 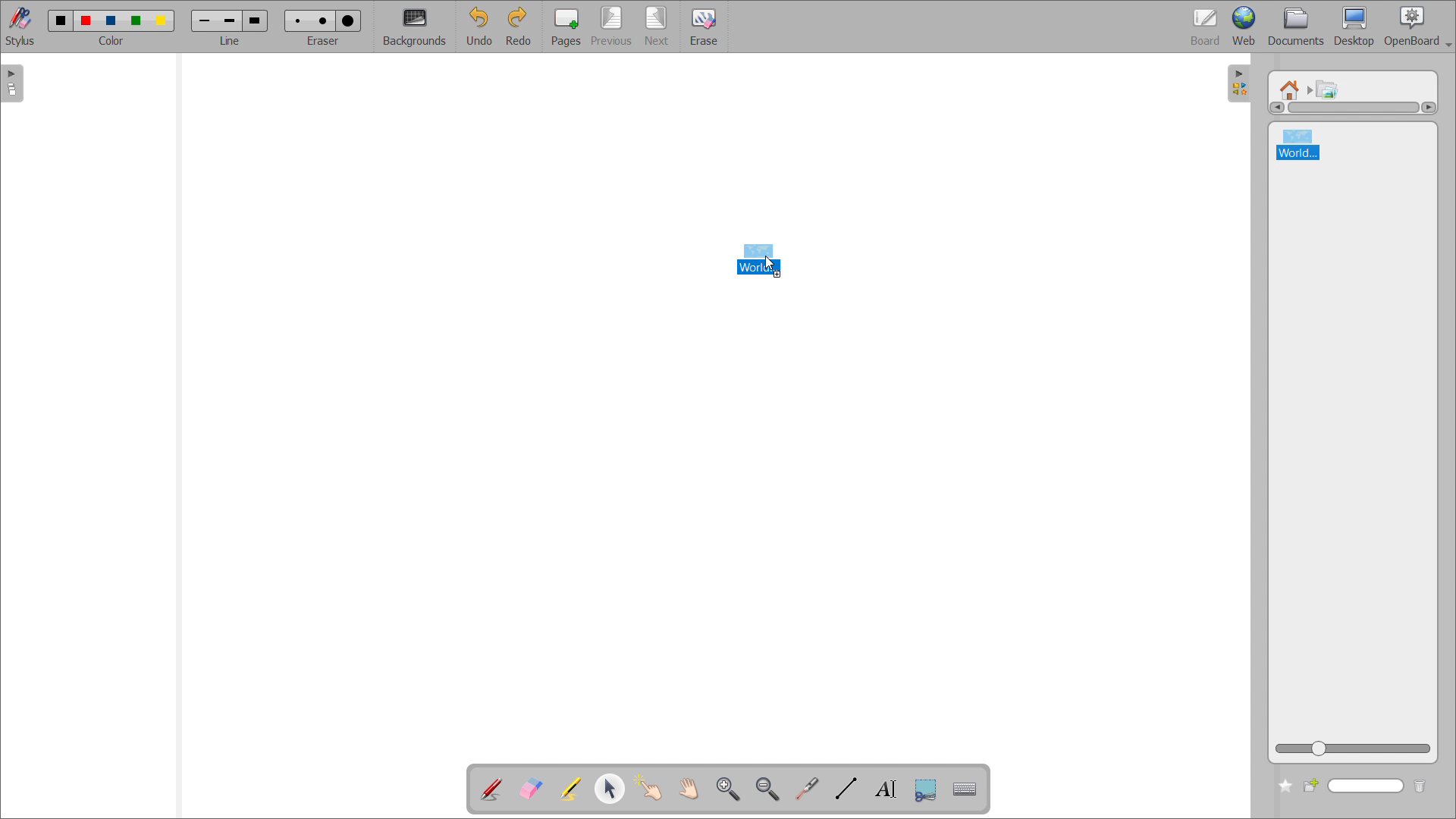 What do you see at coordinates (609, 789) in the screenshot?
I see `select and modify object` at bounding box center [609, 789].